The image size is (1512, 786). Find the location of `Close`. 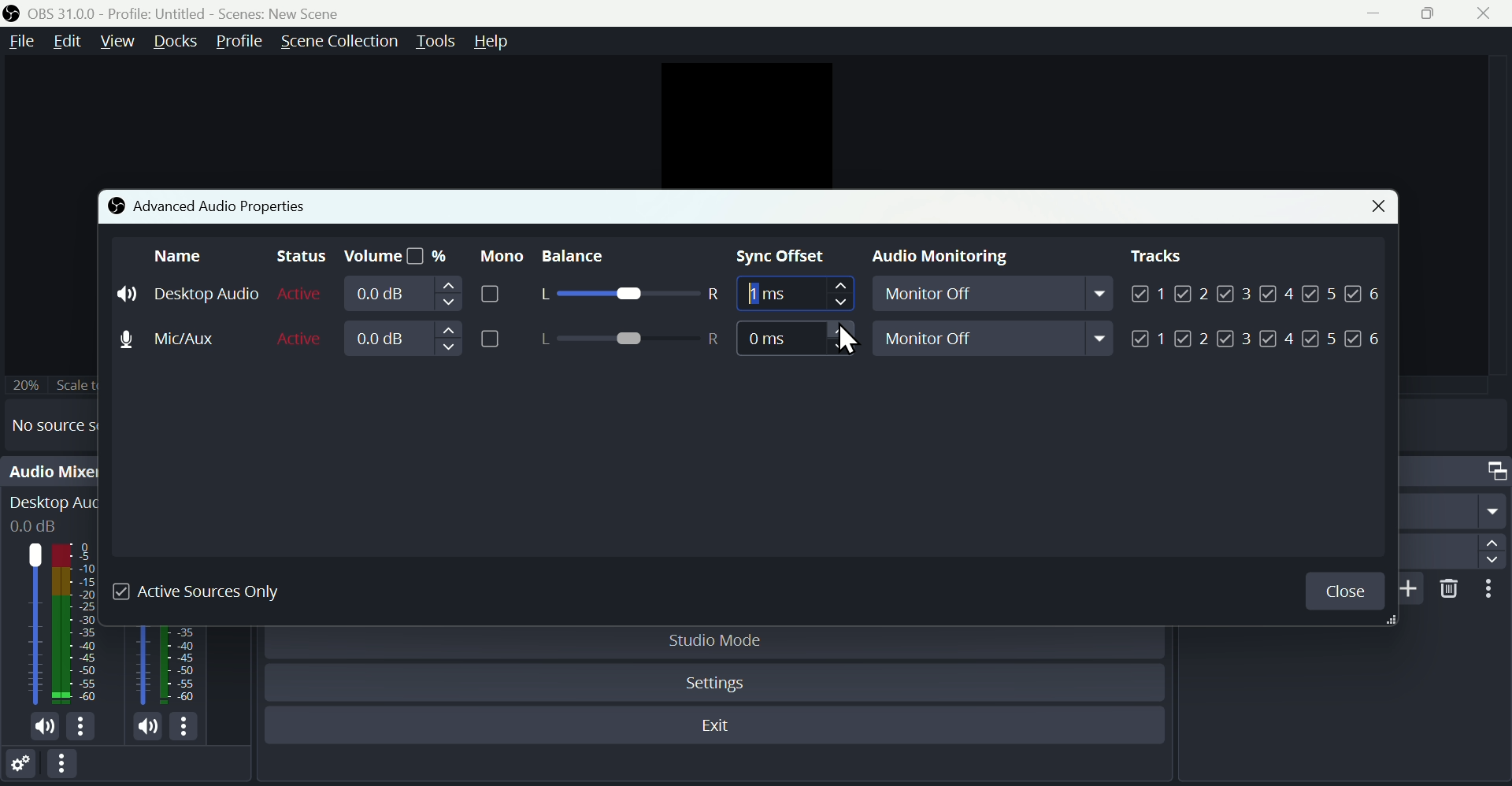

Close is located at coordinates (1373, 208).